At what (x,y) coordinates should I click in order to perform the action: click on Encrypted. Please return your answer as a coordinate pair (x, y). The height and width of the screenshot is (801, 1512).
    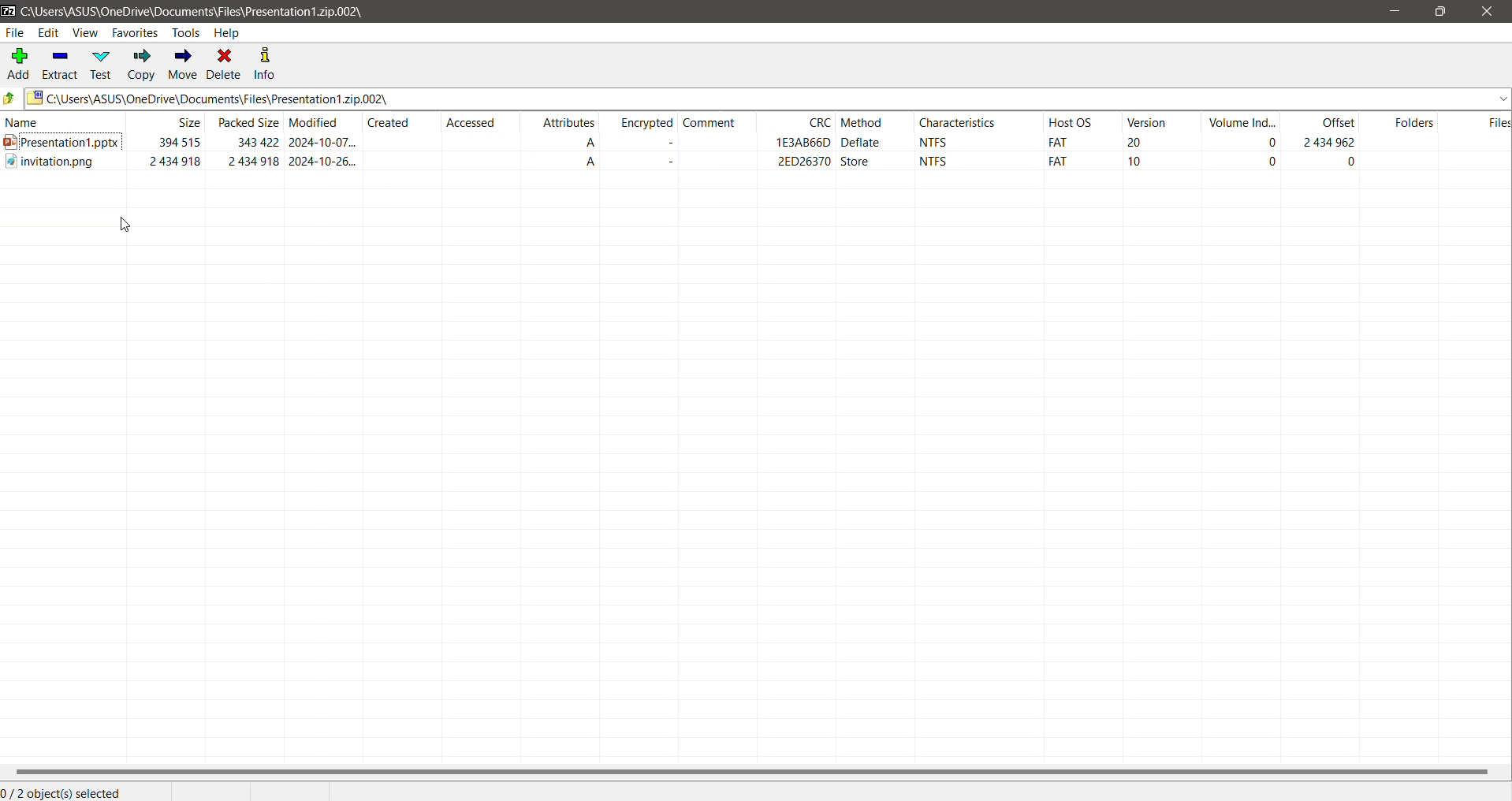
    Looking at the image, I should click on (642, 122).